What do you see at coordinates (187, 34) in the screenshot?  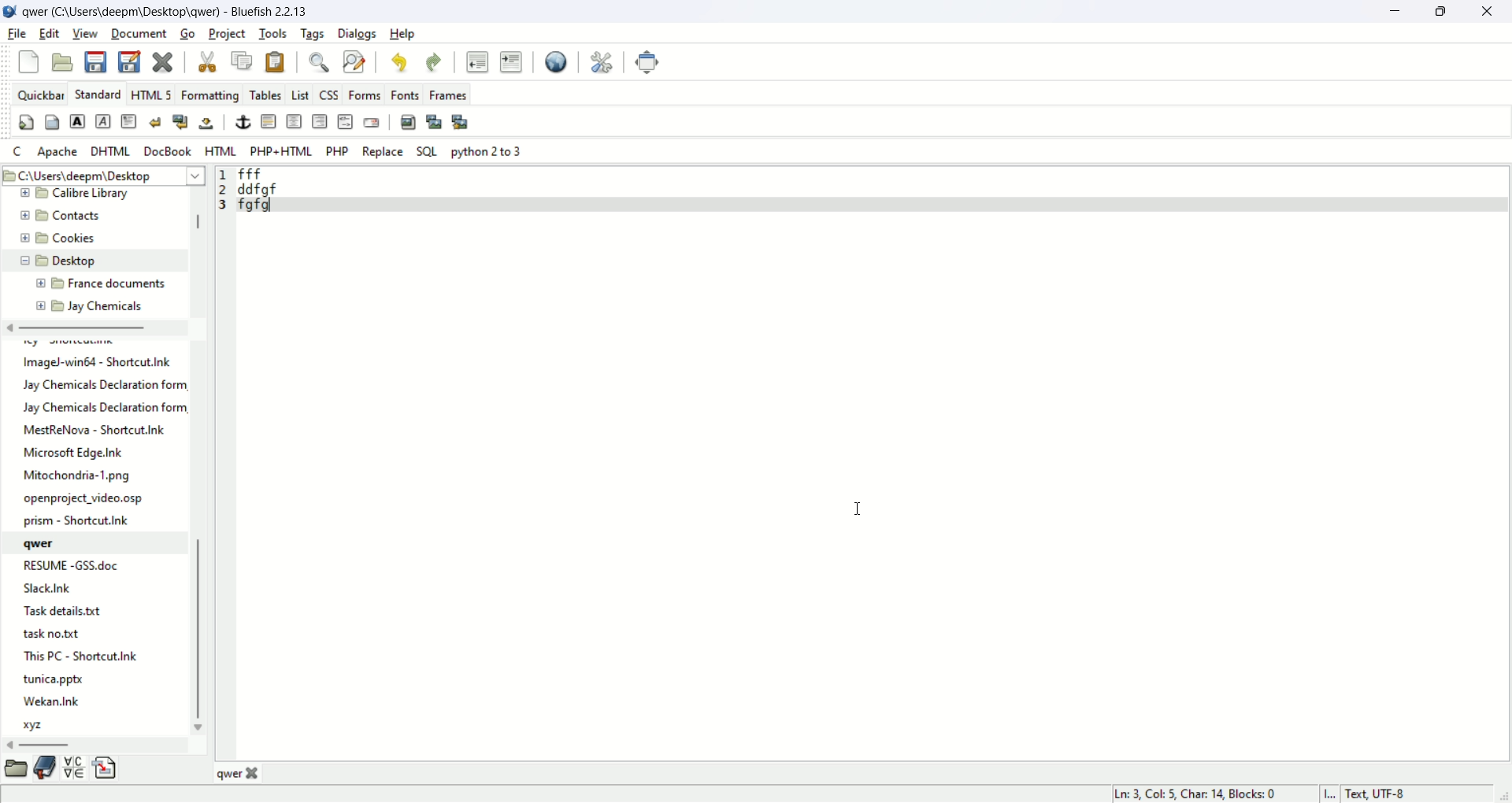 I see `go` at bounding box center [187, 34].